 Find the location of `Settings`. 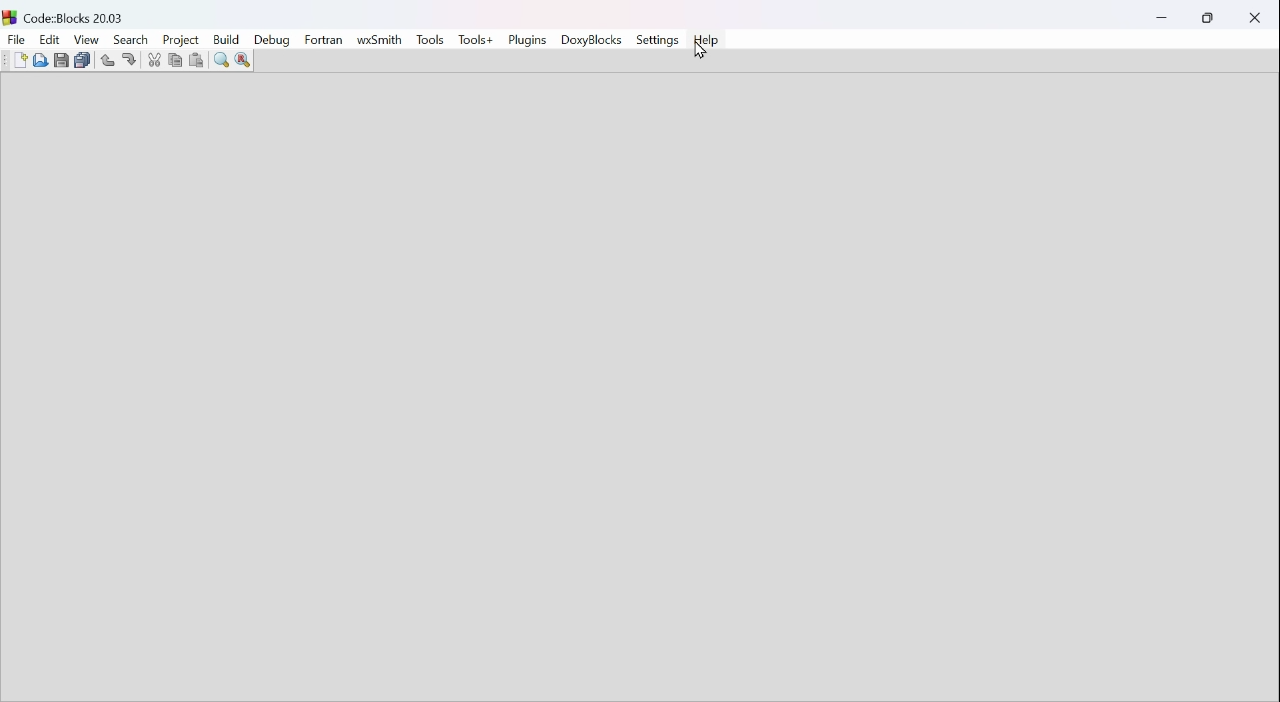

Settings is located at coordinates (659, 39).